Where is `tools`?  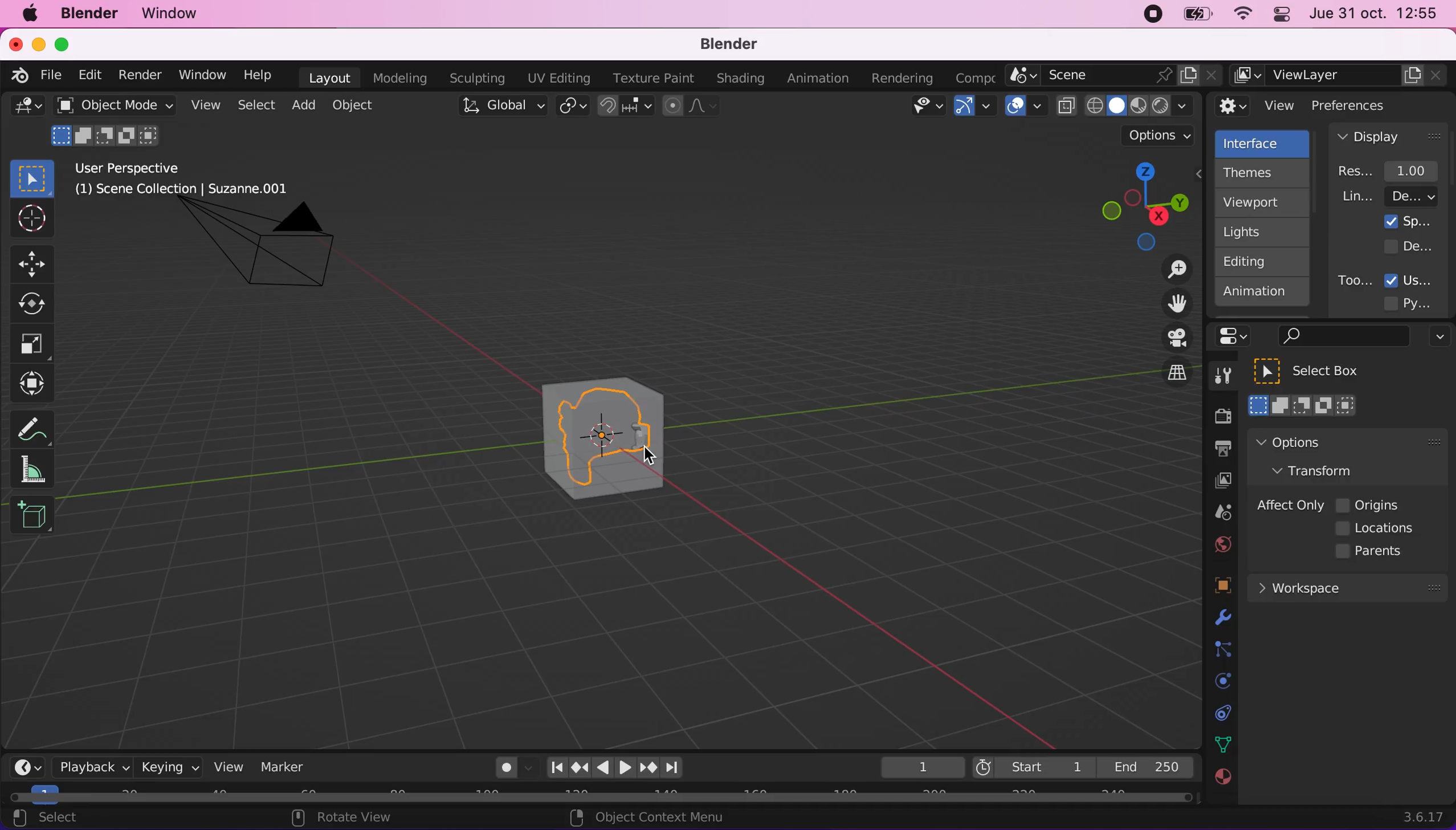 tools is located at coordinates (1217, 379).